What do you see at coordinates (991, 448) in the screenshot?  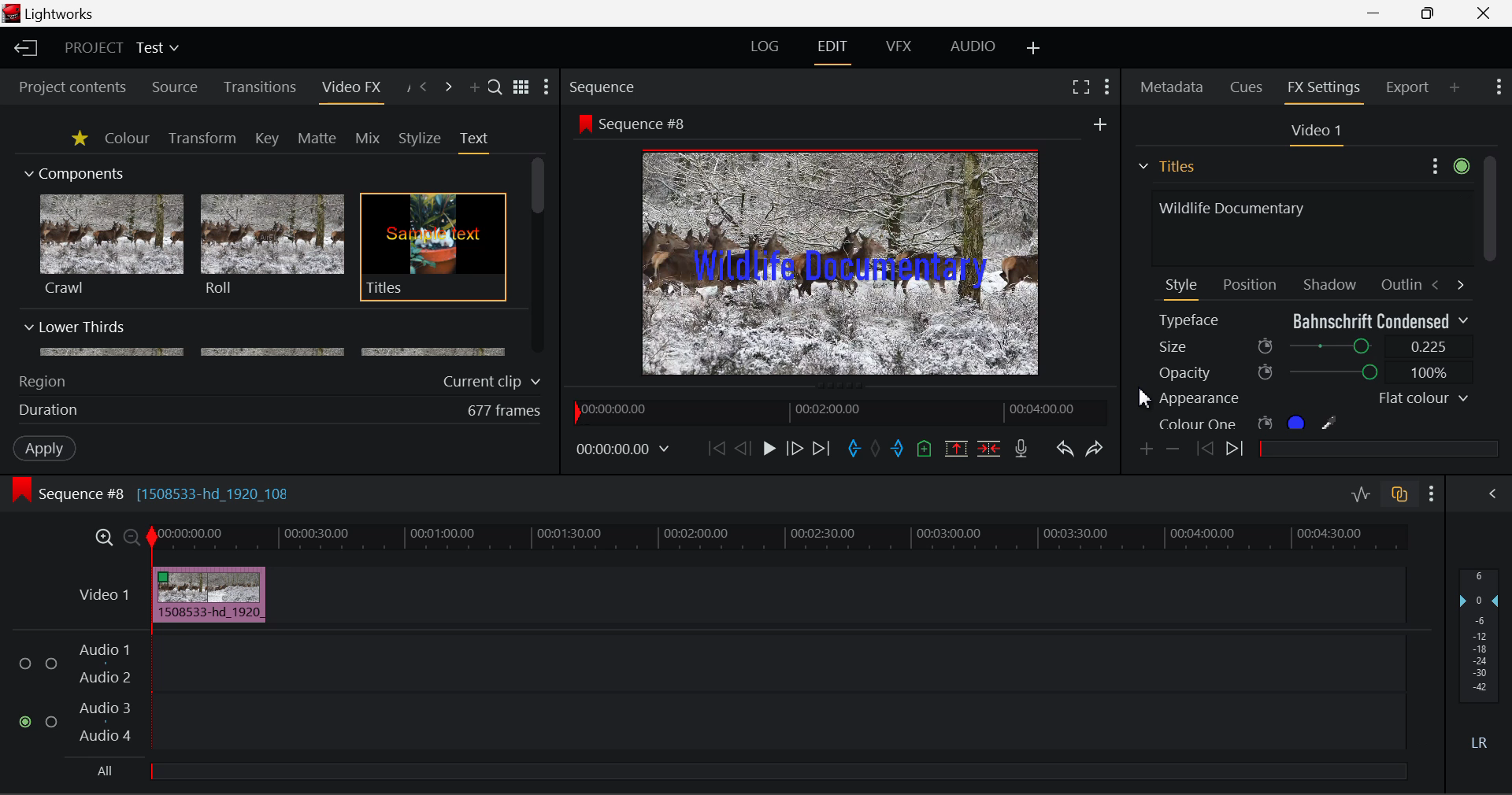 I see `Delete/Cut` at bounding box center [991, 448].